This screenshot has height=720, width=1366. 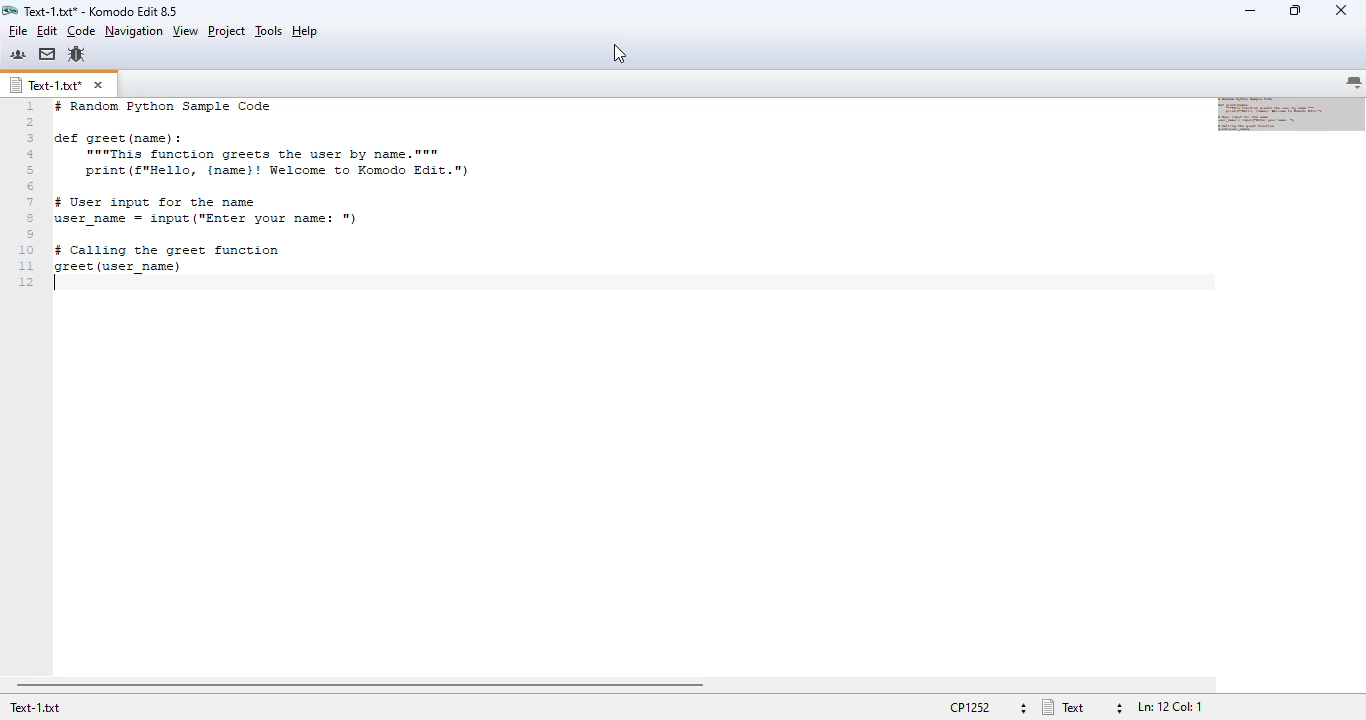 I want to click on komodo community, so click(x=18, y=54).